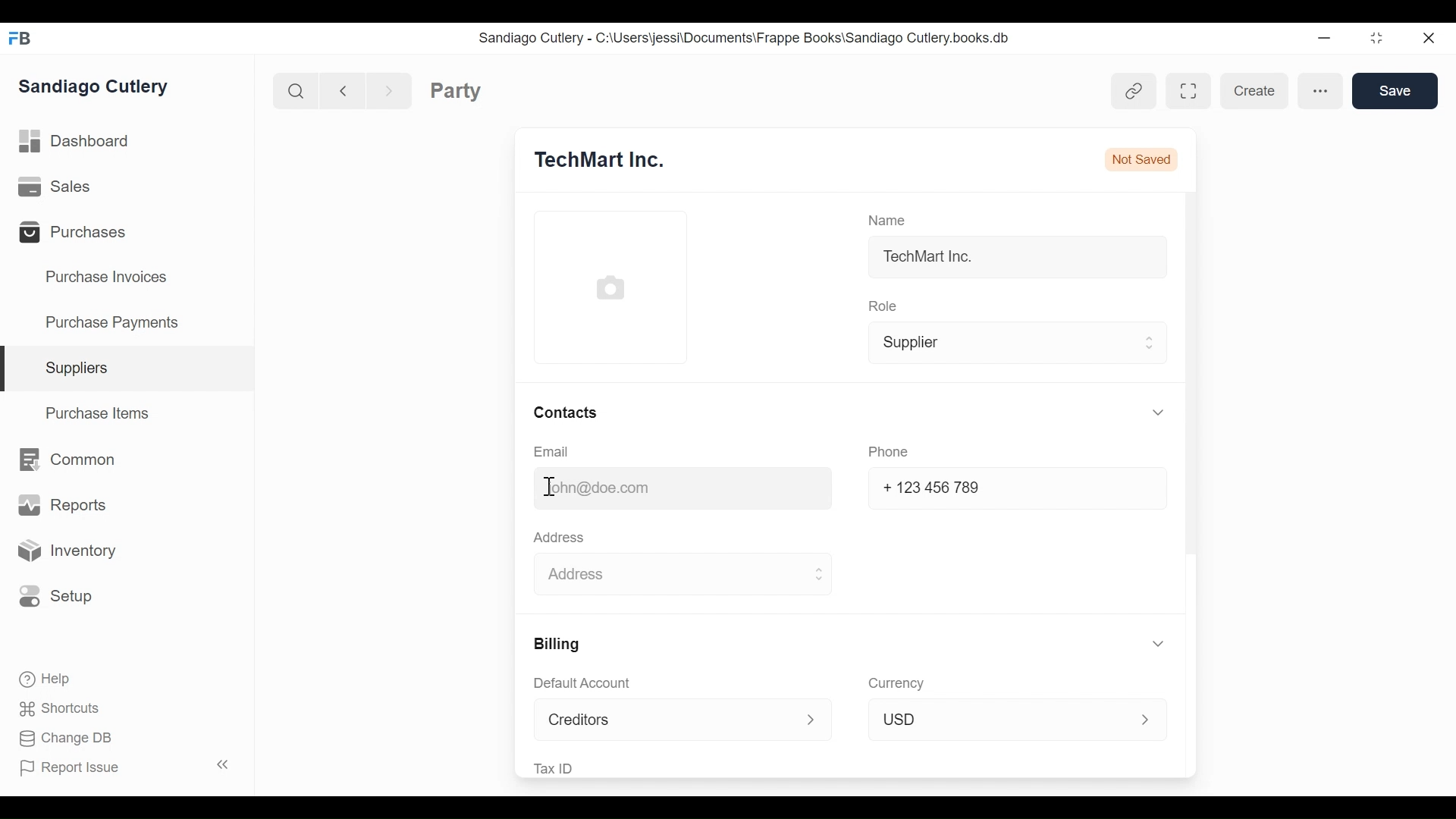  Describe the element at coordinates (60, 504) in the screenshot. I see `Reports` at that location.